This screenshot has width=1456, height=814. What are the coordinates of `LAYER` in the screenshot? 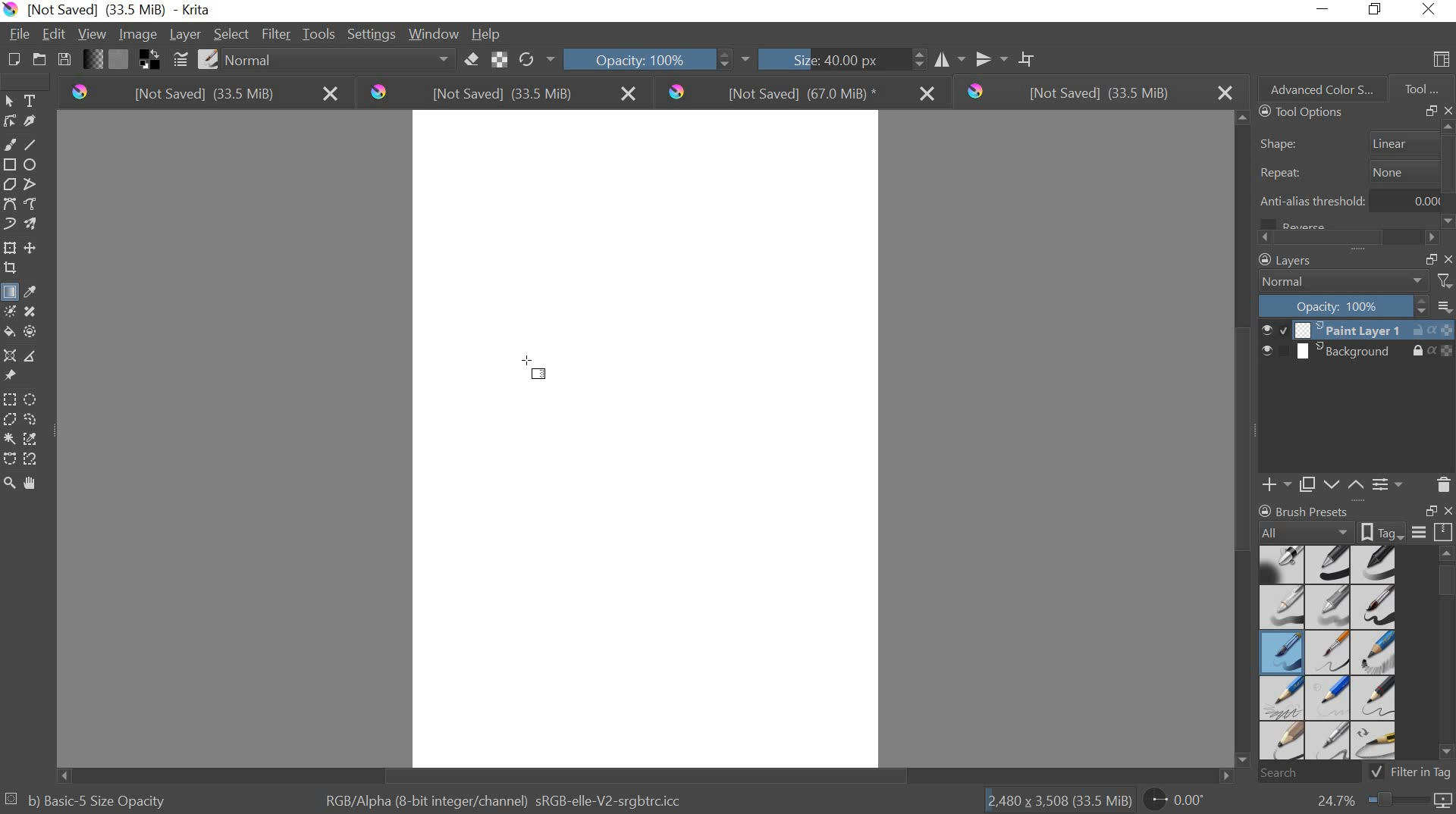 It's located at (184, 35).